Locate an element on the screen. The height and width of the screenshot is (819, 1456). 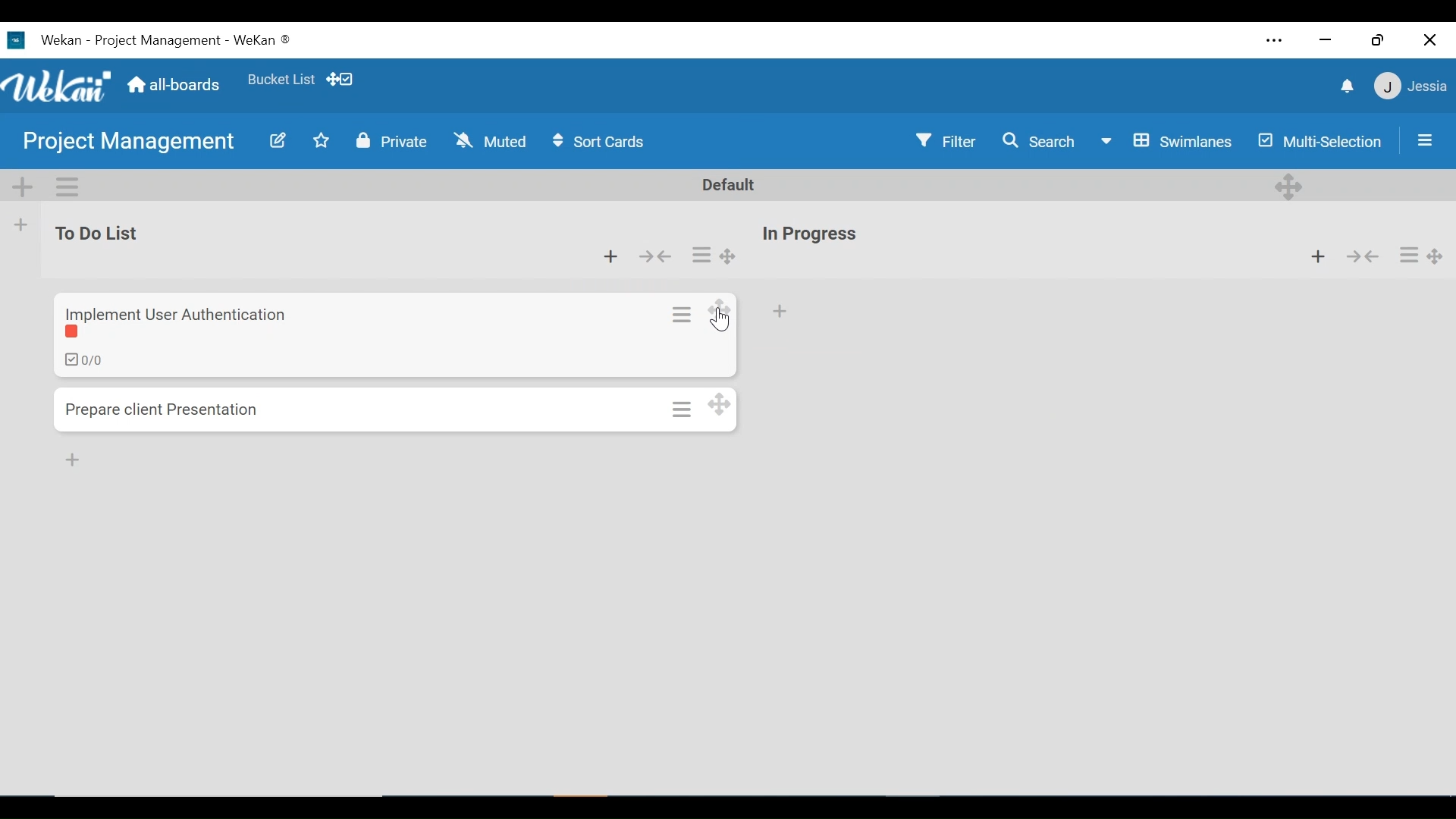
Muted is located at coordinates (494, 140).